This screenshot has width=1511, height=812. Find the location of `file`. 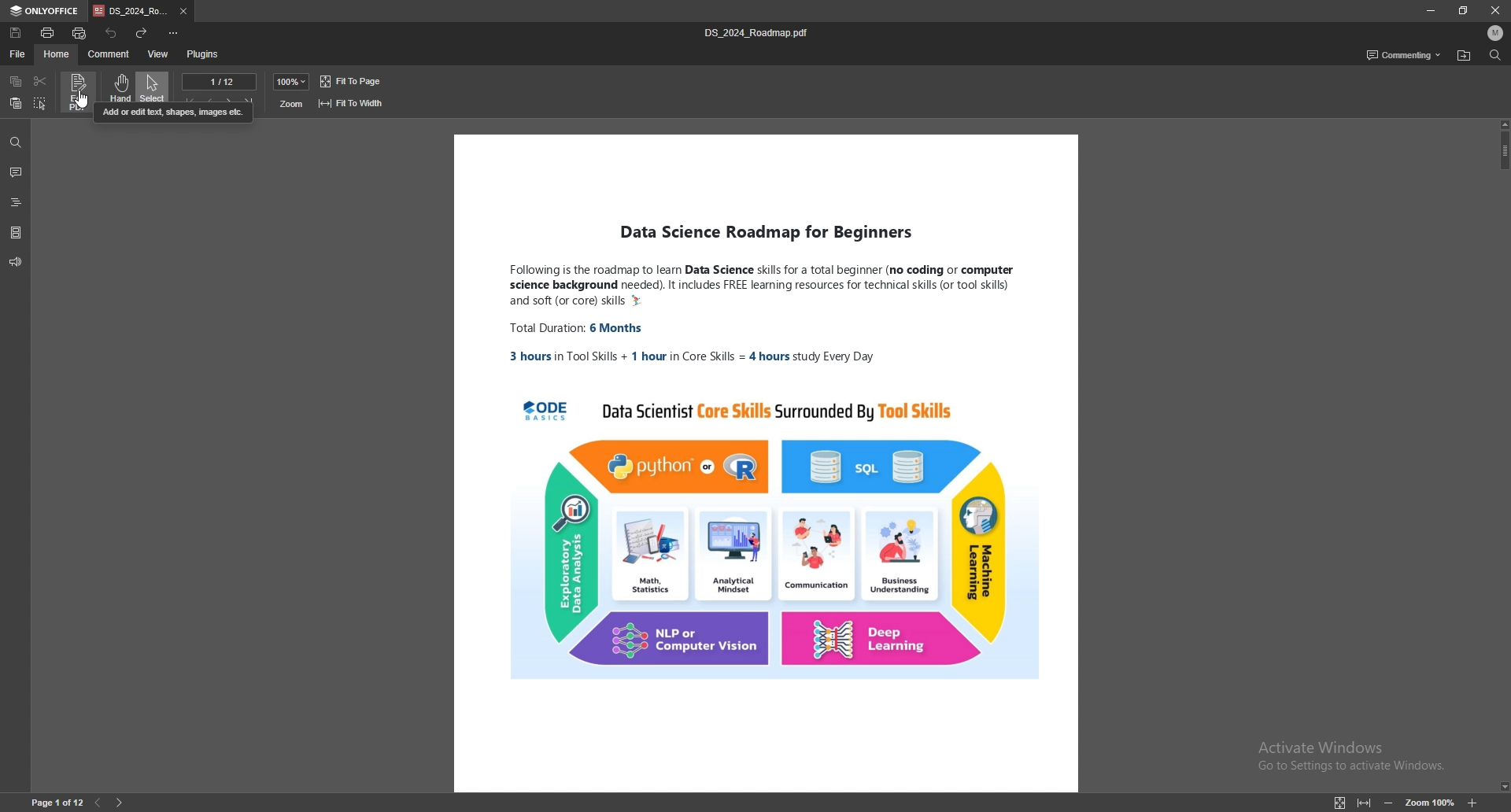

file is located at coordinates (18, 53).